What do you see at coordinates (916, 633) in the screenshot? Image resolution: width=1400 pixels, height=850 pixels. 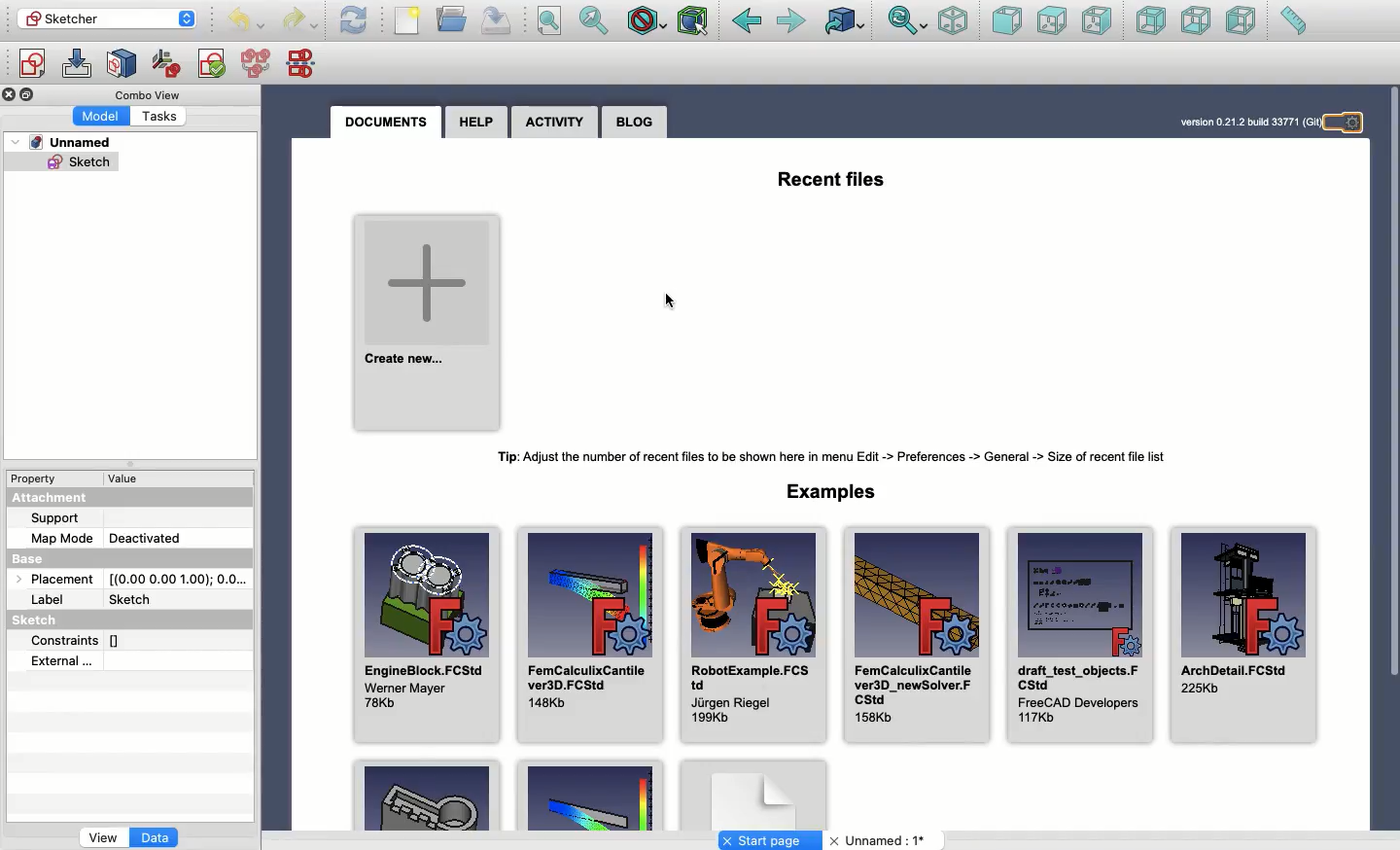 I see `FemCalculixCantile ver3D_newSolver.FCStd 158Kb` at bounding box center [916, 633].